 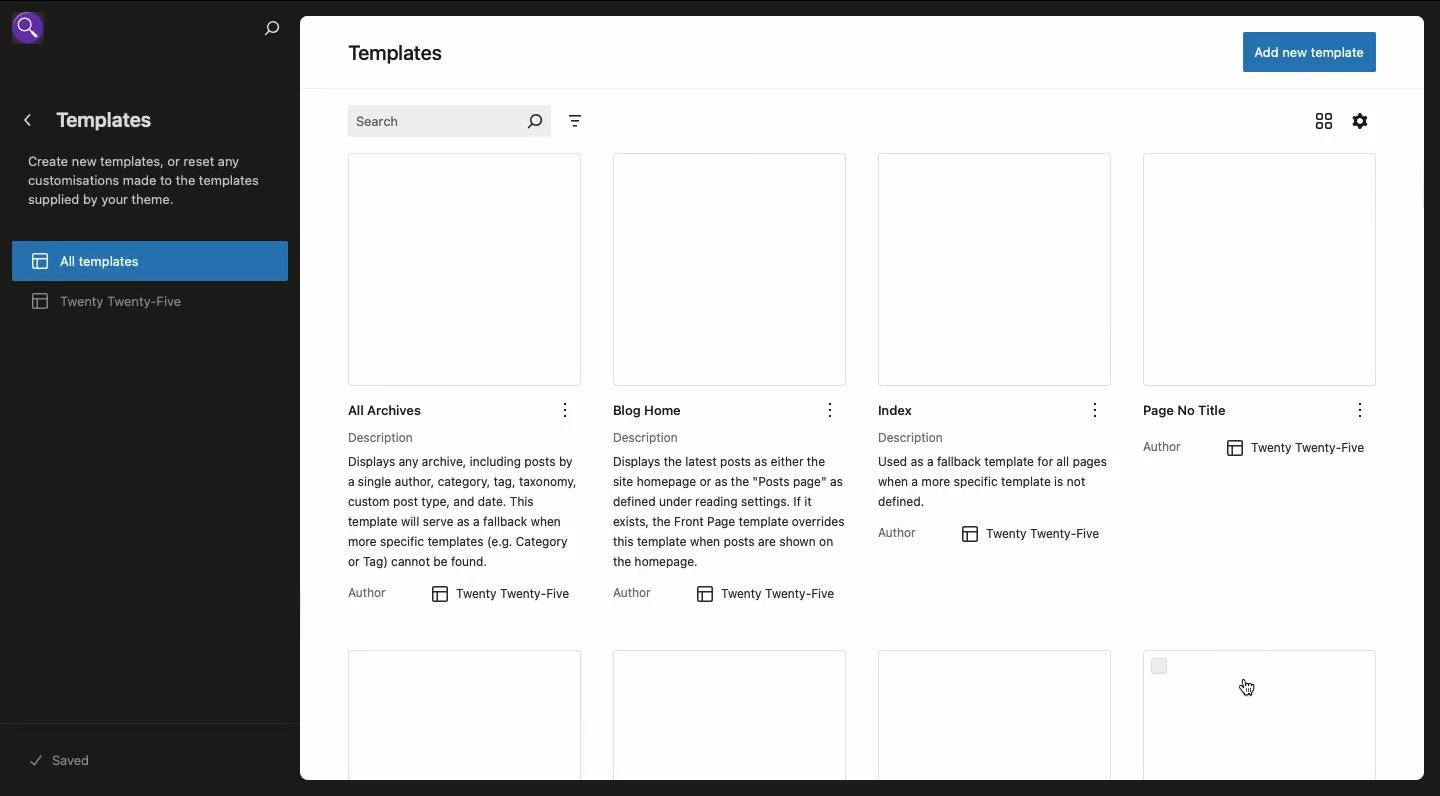 I want to click on Saved, so click(x=64, y=759).